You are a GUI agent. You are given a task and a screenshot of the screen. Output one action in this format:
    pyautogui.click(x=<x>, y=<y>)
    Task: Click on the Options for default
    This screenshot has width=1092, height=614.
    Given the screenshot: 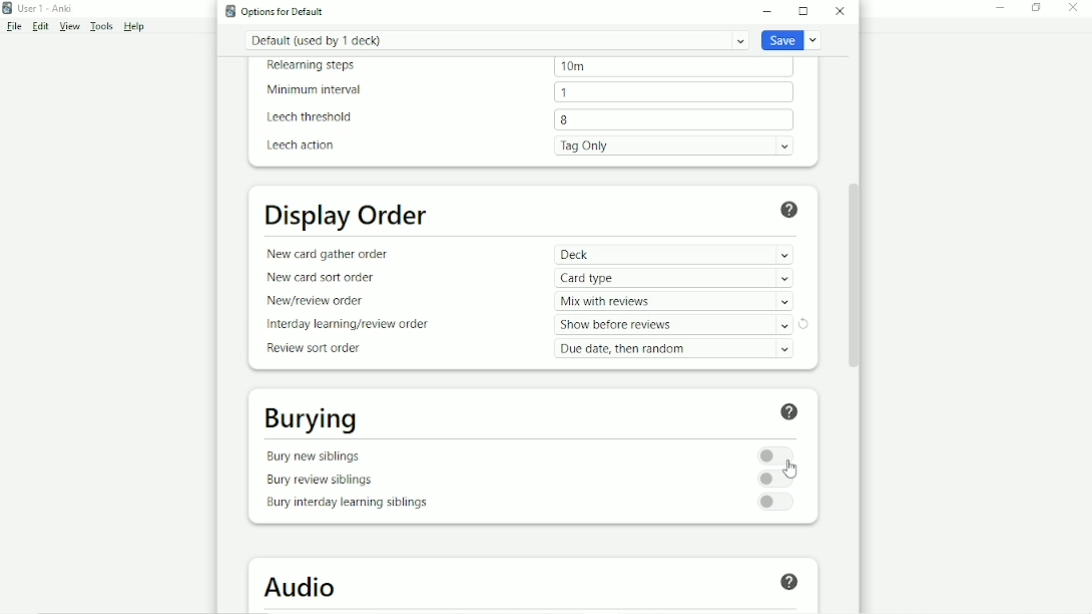 What is the action you would take?
    pyautogui.click(x=274, y=11)
    